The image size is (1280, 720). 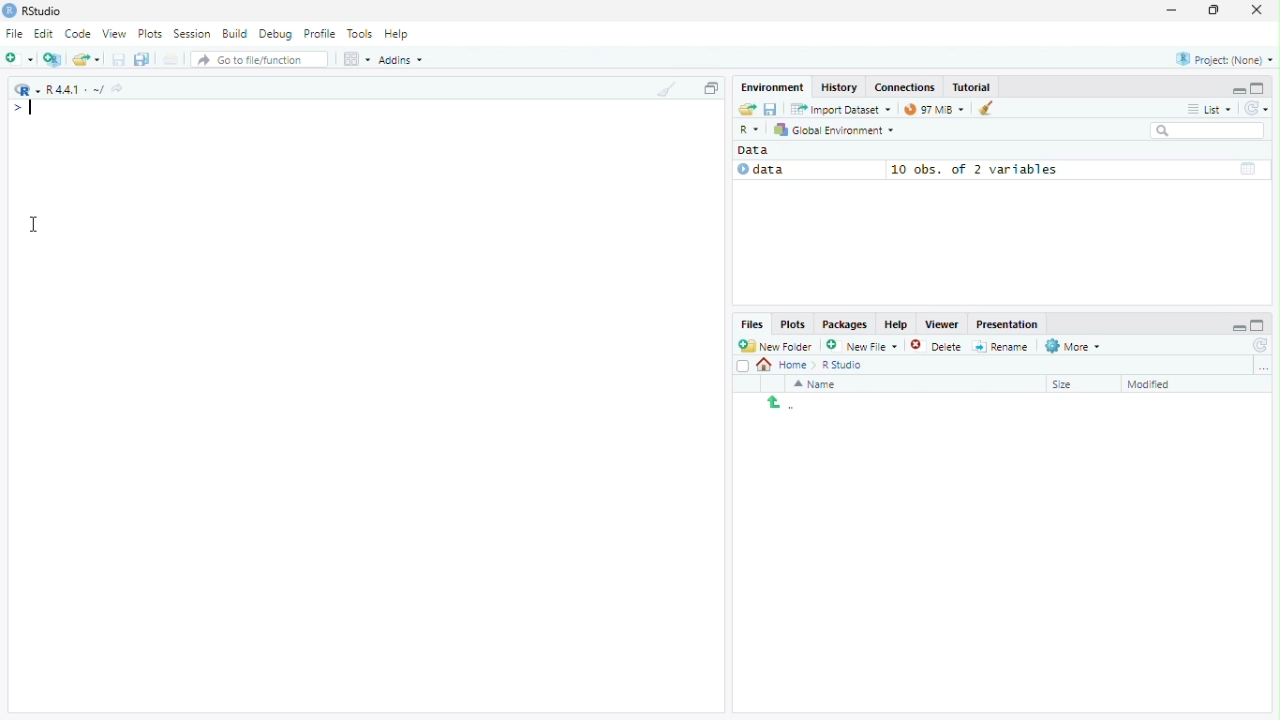 I want to click on Current language selected - R, so click(x=25, y=89).